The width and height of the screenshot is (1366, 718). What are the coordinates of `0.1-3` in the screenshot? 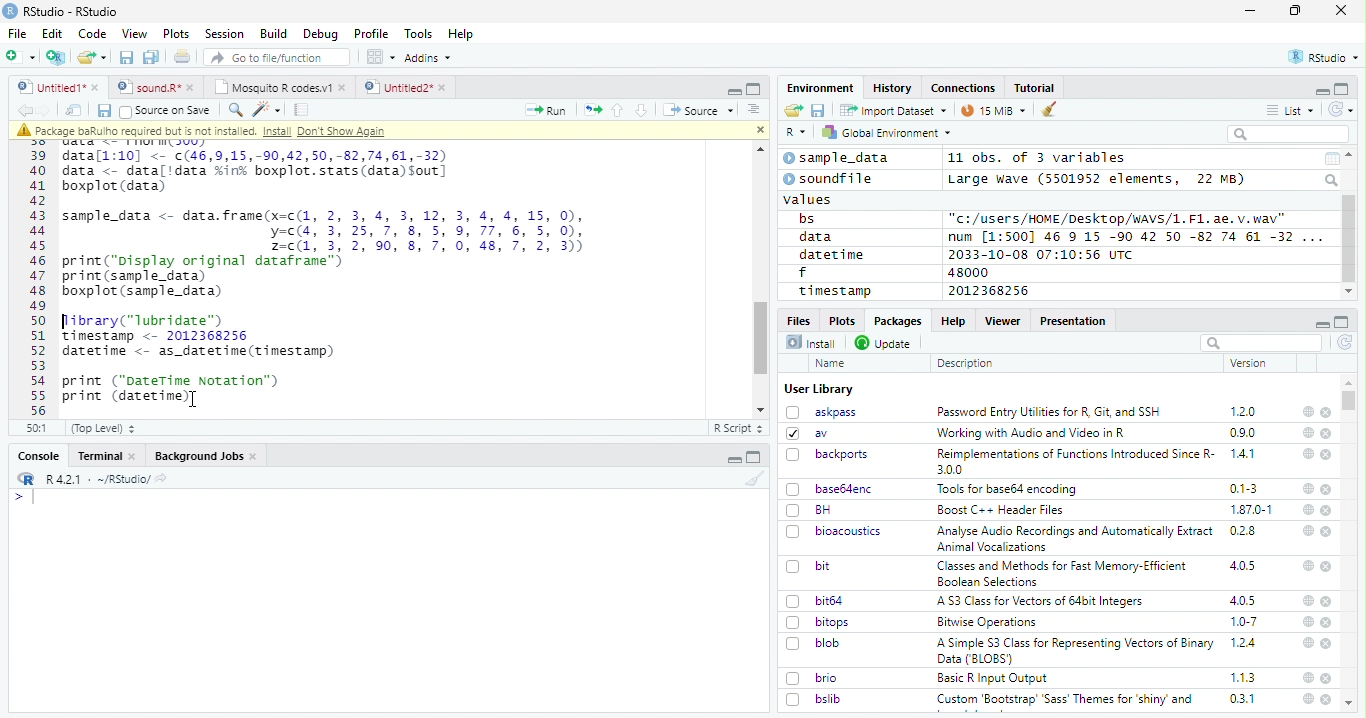 It's located at (1247, 488).